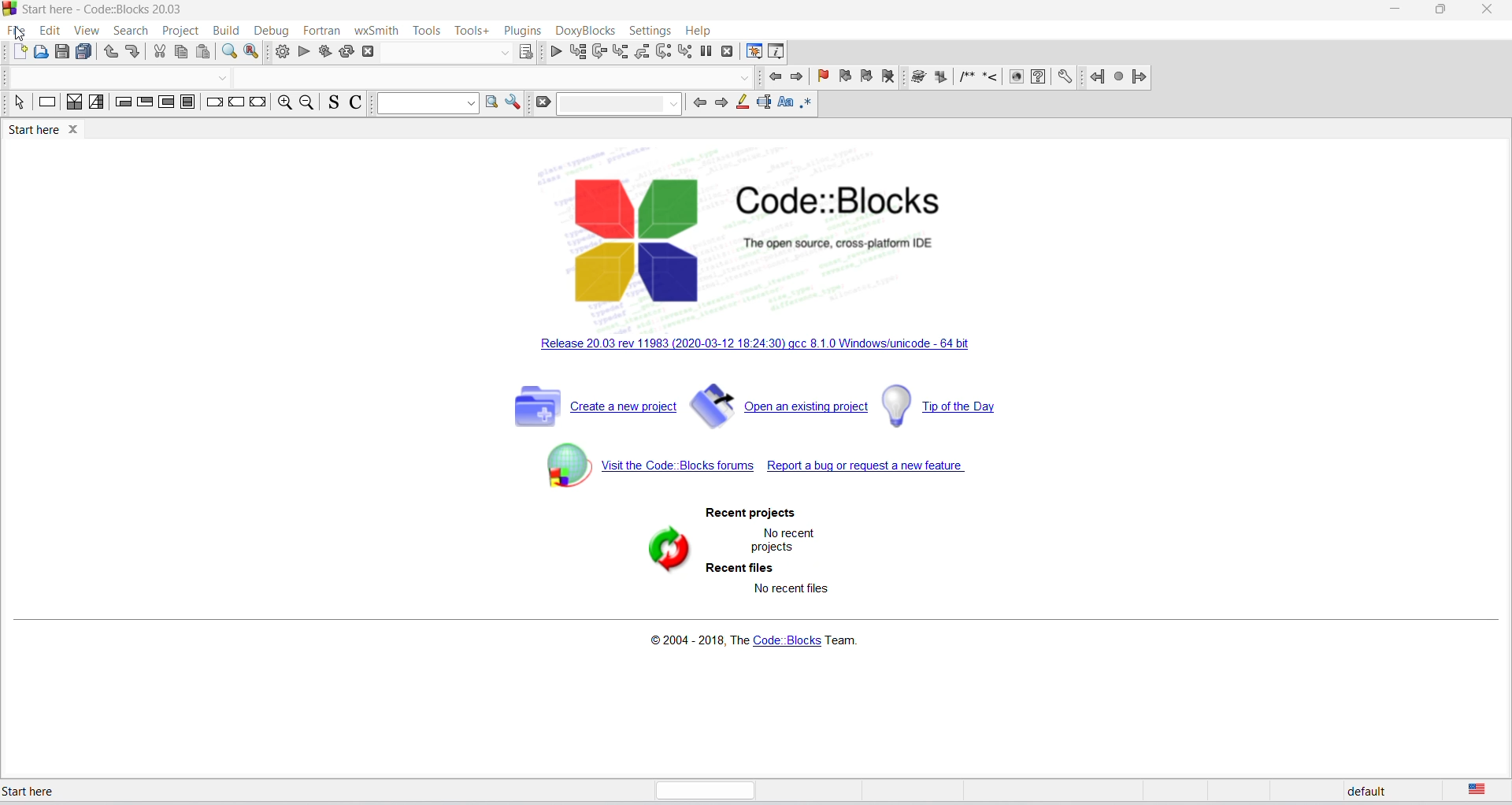 Image resolution: width=1512 pixels, height=805 pixels. What do you see at coordinates (773, 76) in the screenshot?
I see `previous` at bounding box center [773, 76].